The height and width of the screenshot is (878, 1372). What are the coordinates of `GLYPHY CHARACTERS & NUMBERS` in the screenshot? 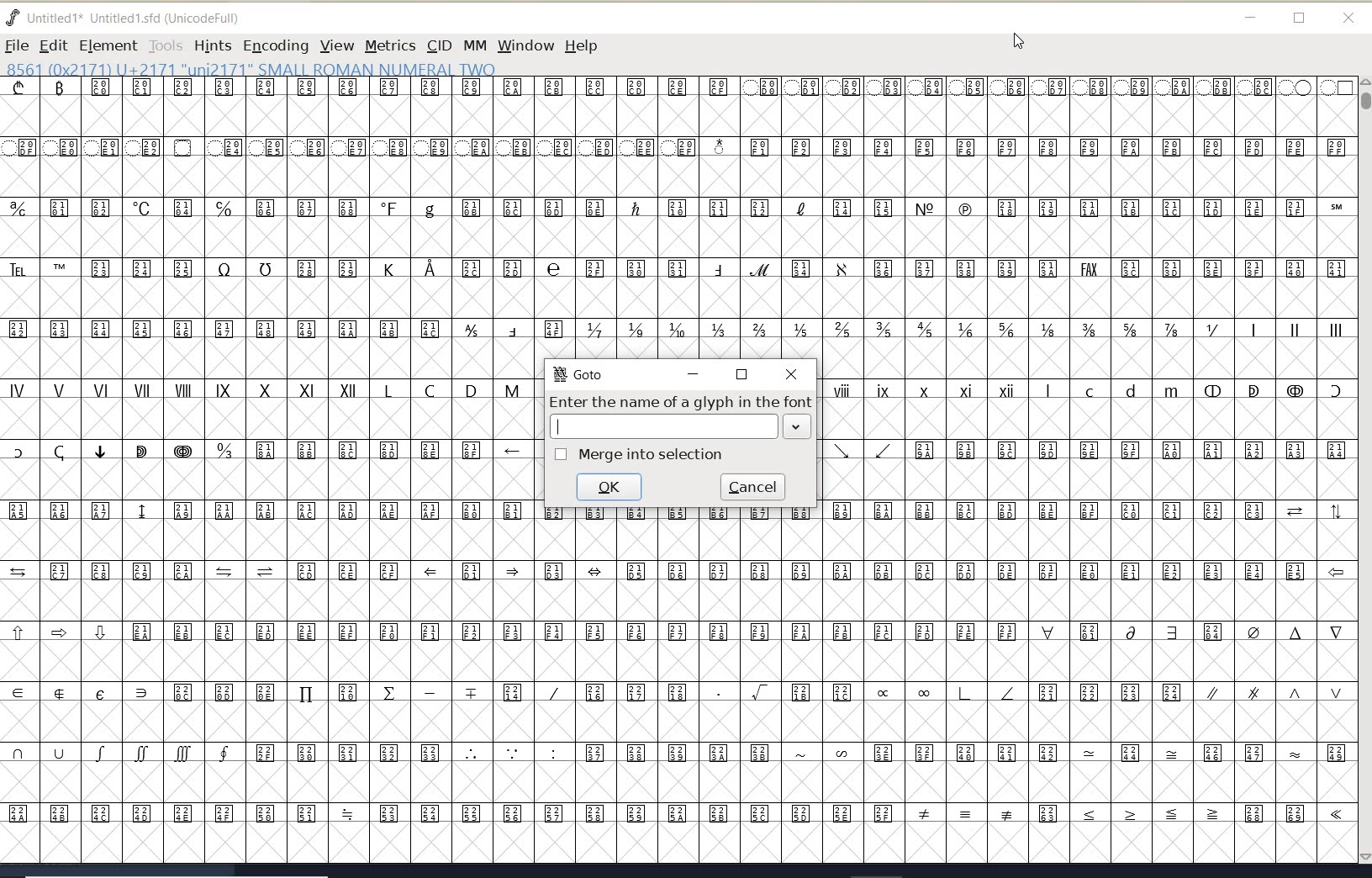 It's located at (675, 219).